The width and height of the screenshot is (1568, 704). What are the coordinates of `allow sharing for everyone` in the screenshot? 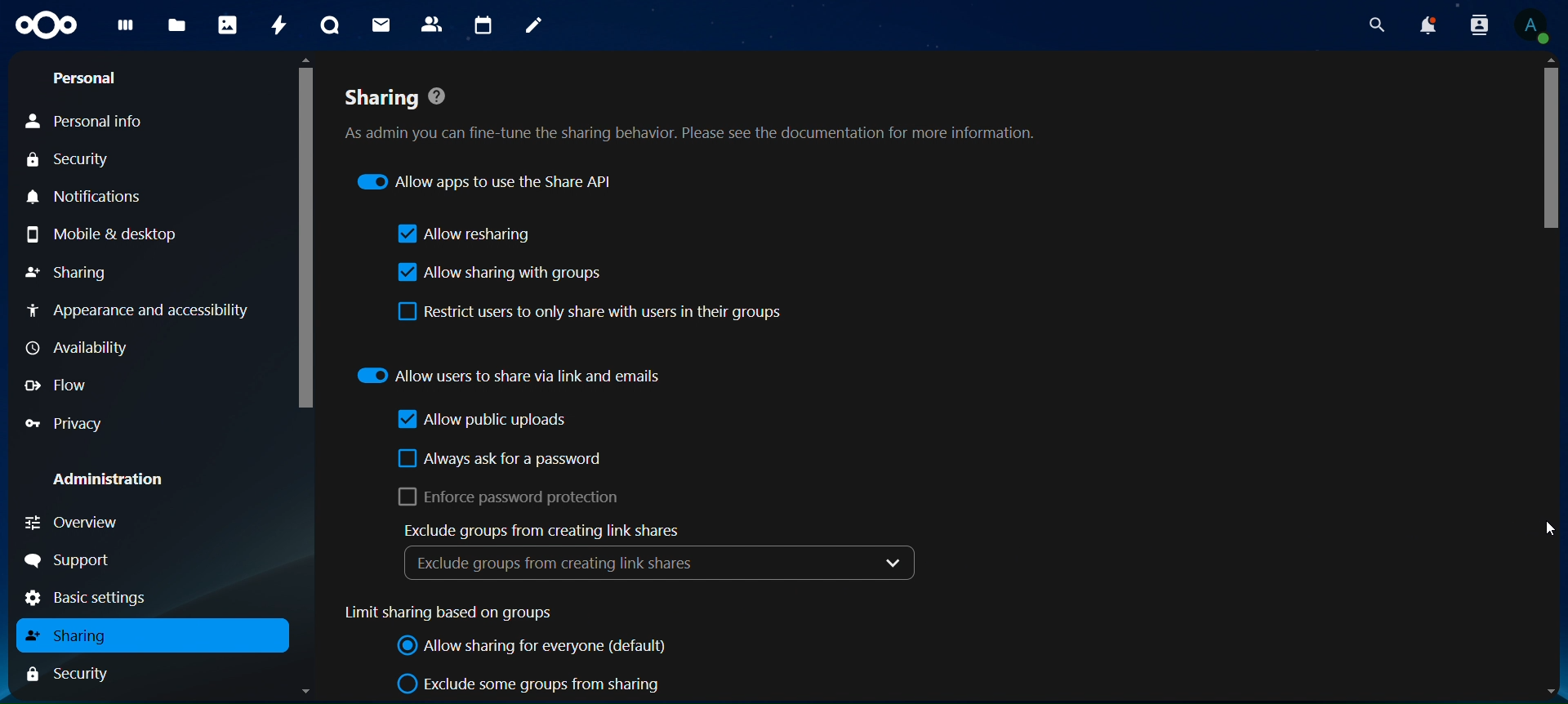 It's located at (541, 646).